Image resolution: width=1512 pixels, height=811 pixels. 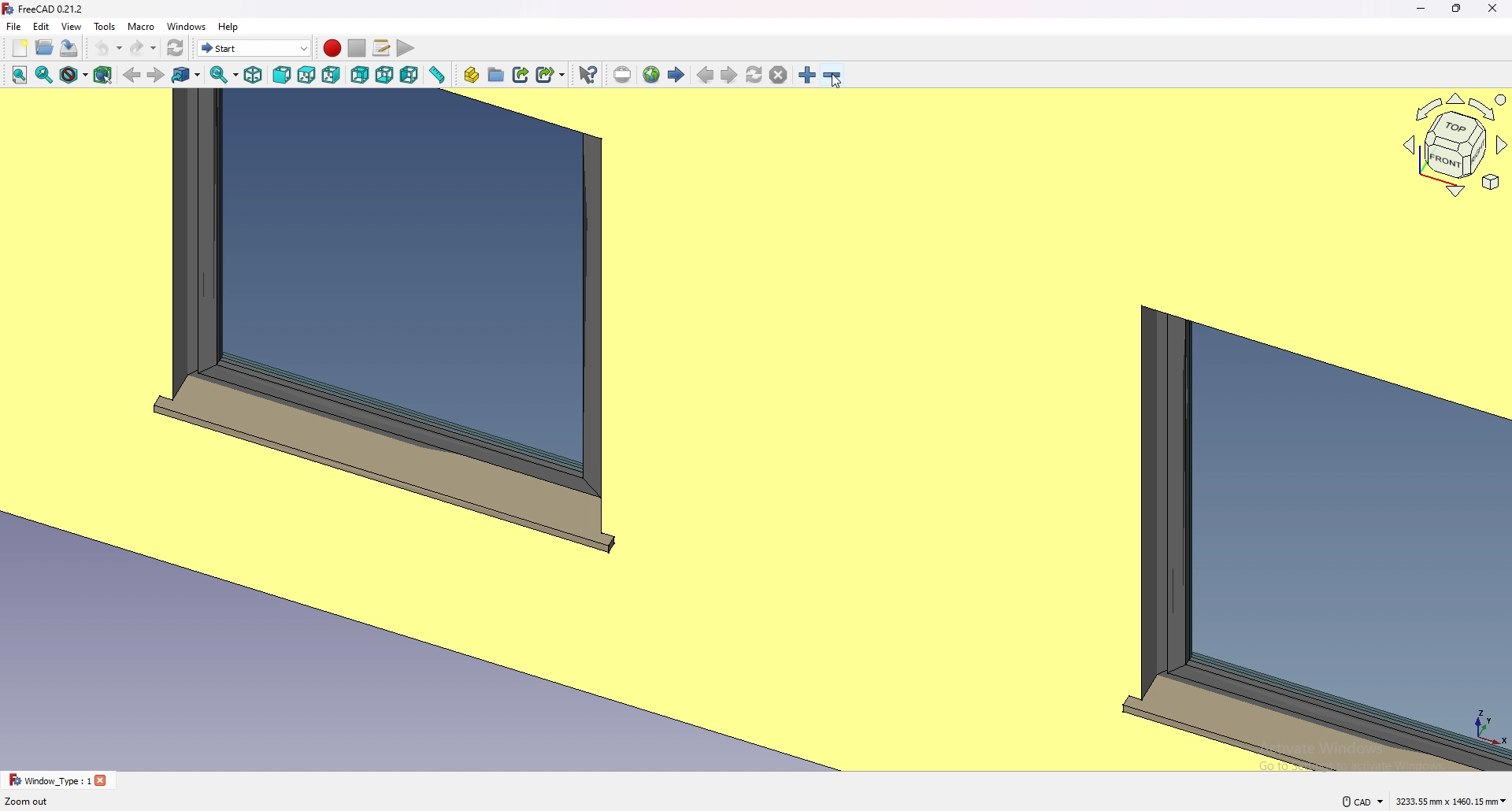 I want to click on execute macro, so click(x=407, y=49).